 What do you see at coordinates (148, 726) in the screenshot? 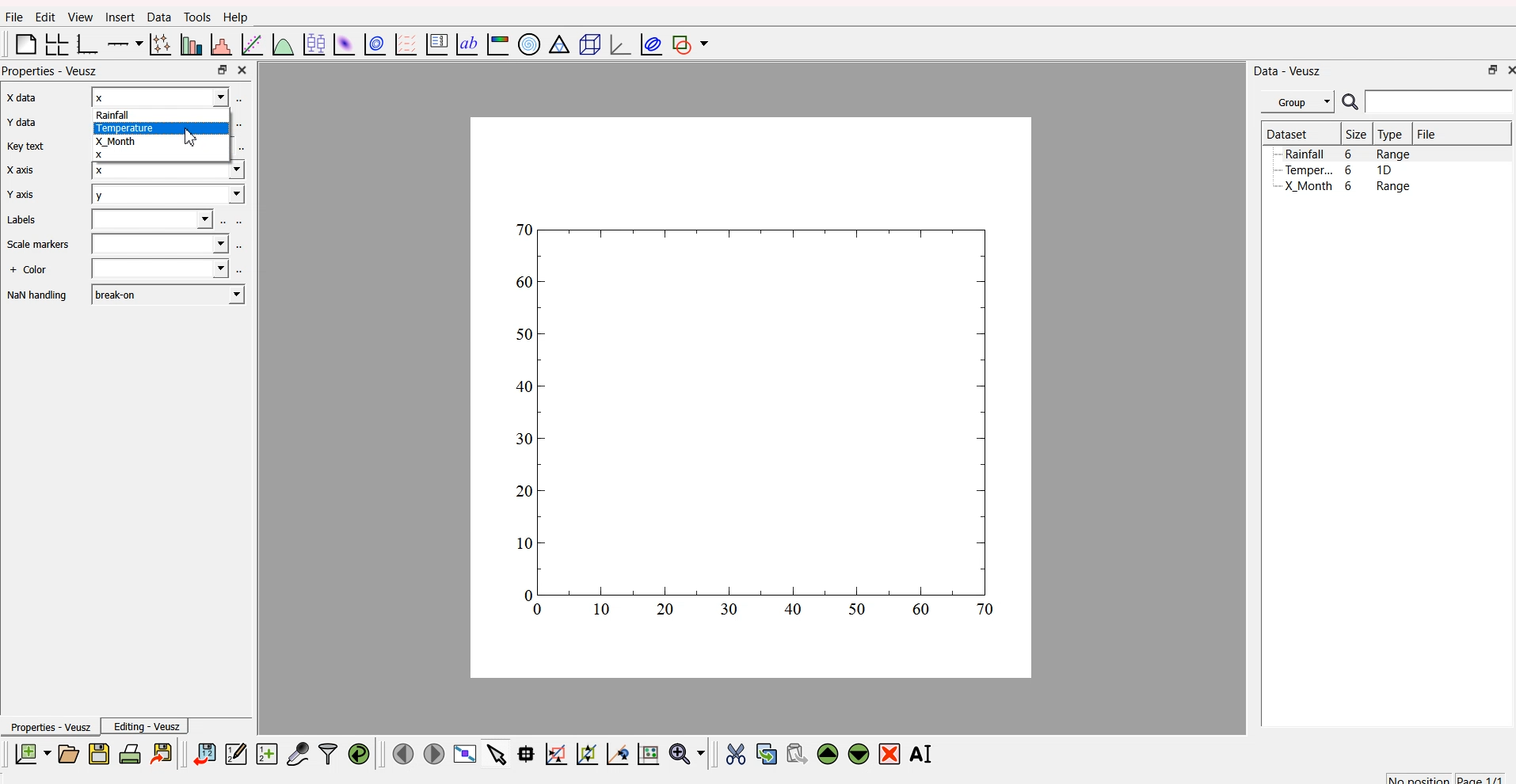
I see `Editing - Veusz |` at bounding box center [148, 726].